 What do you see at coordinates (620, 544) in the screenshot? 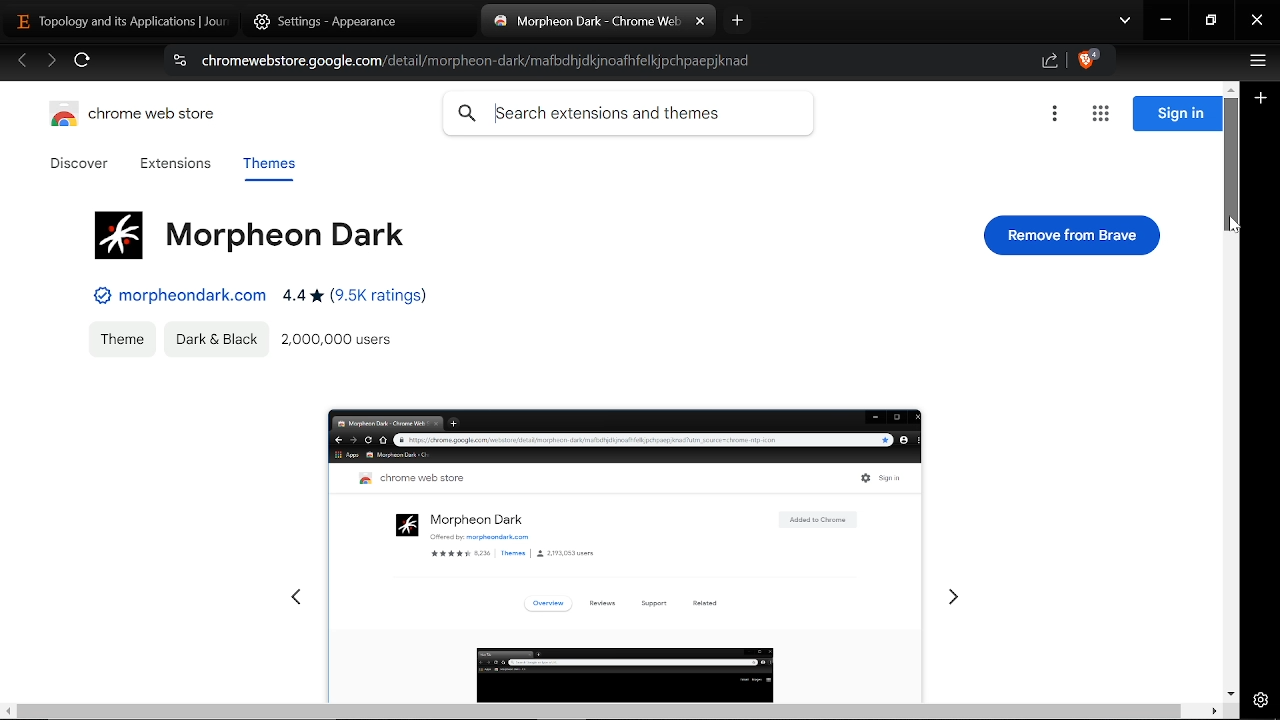
I see `Theme view` at bounding box center [620, 544].